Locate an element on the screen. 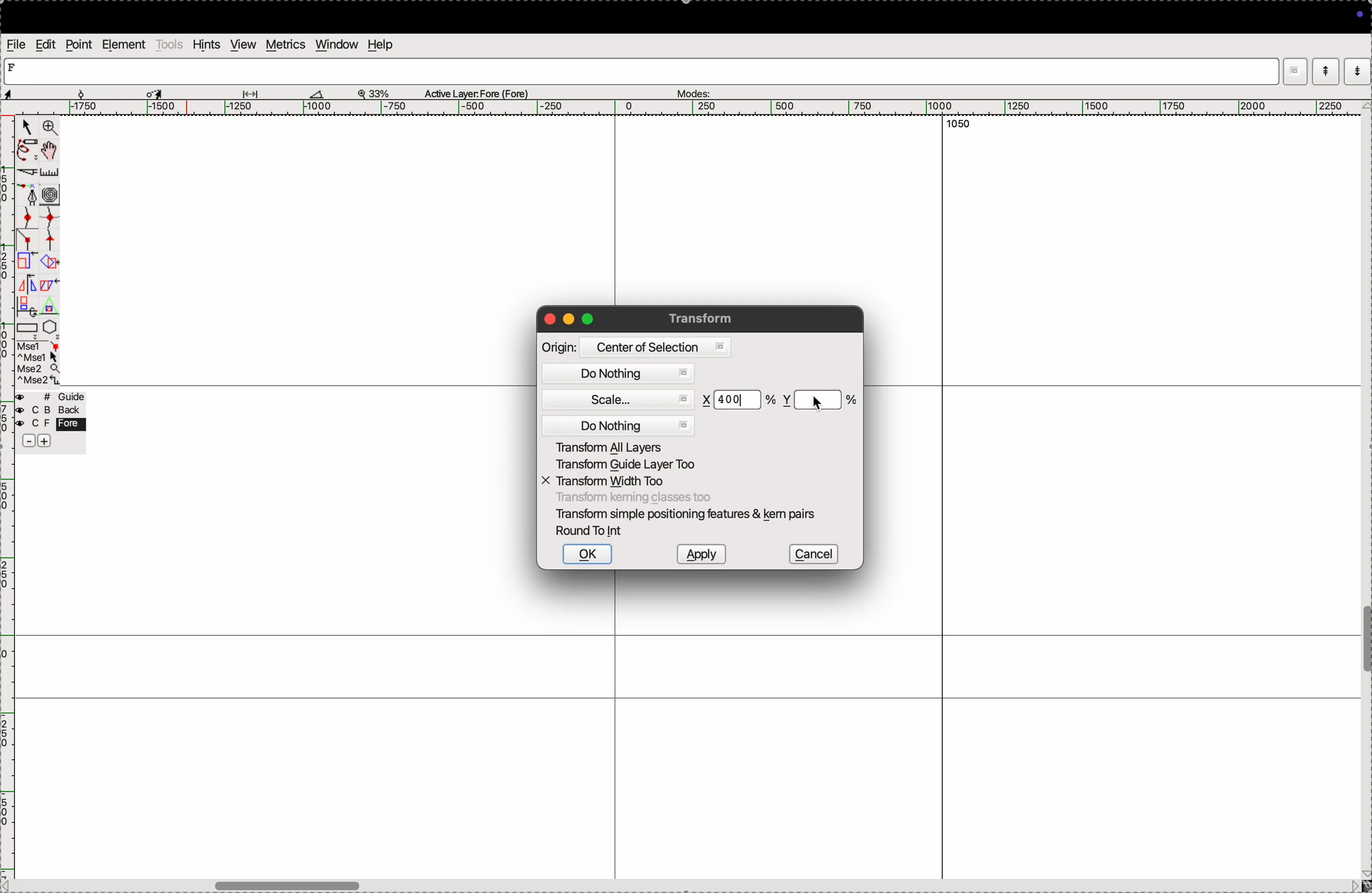 The width and height of the screenshot is (1372, 893). view is located at coordinates (242, 44).